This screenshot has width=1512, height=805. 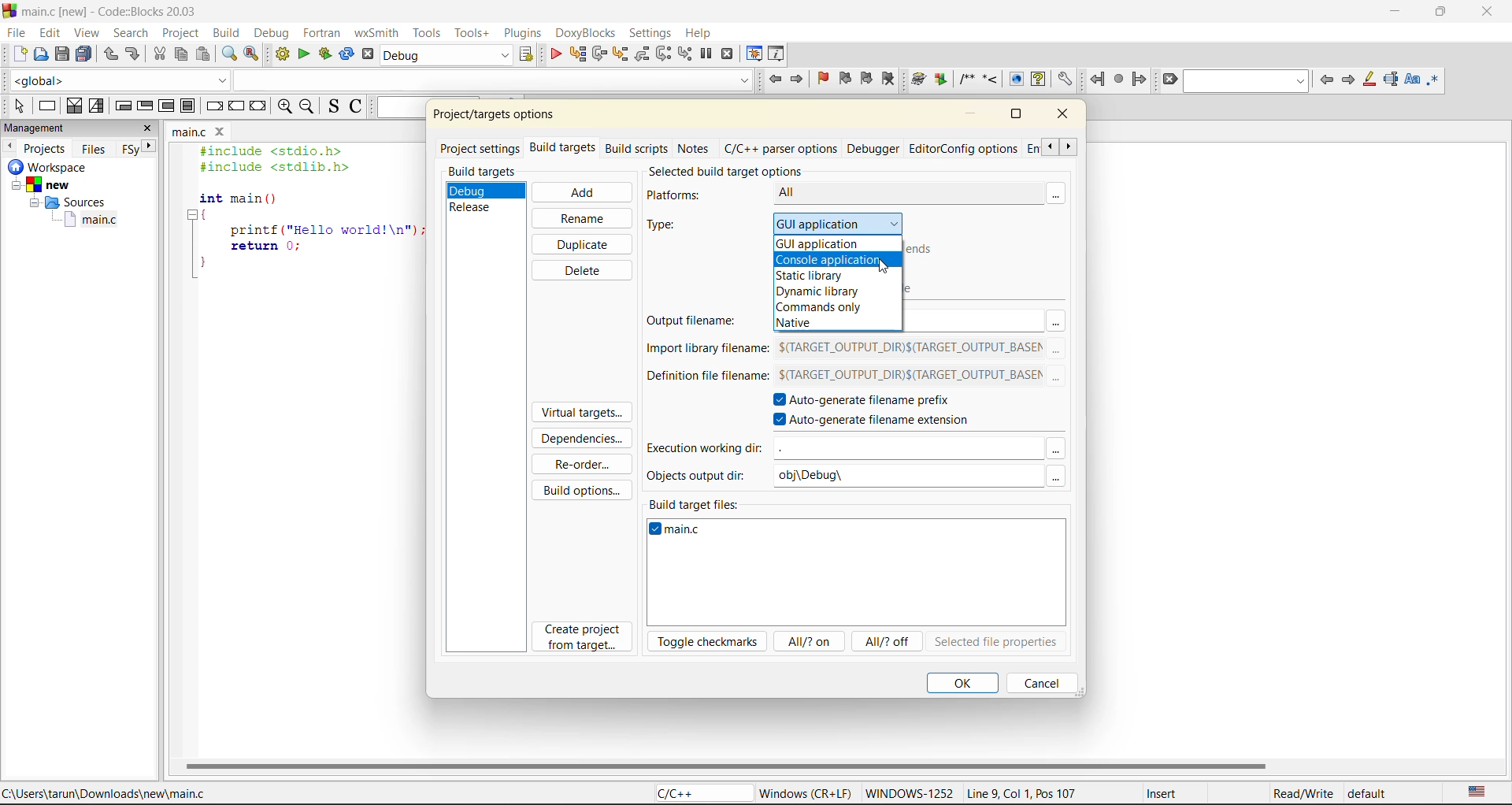 I want to click on jump back, so click(x=1096, y=80).